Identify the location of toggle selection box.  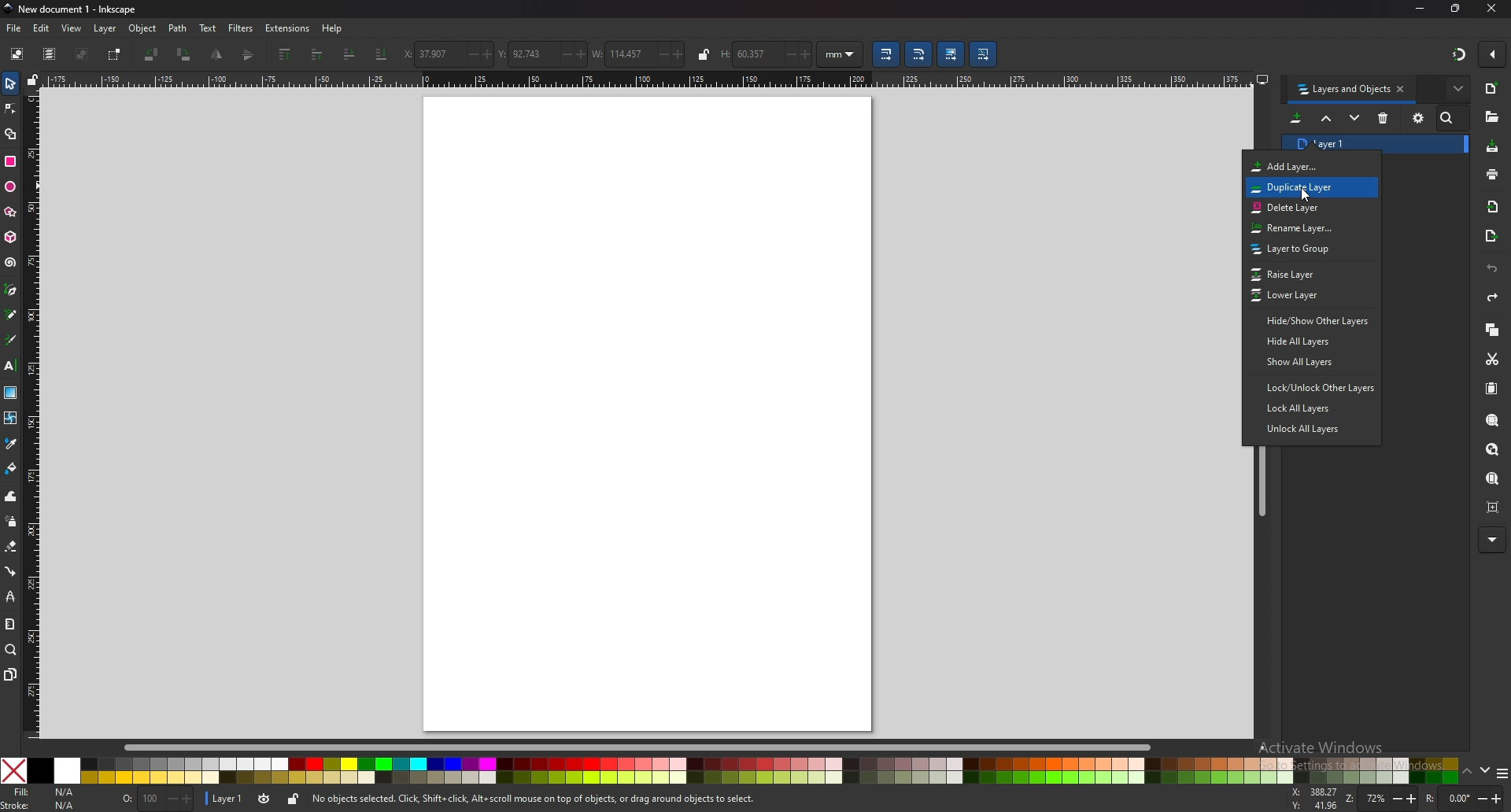
(113, 55).